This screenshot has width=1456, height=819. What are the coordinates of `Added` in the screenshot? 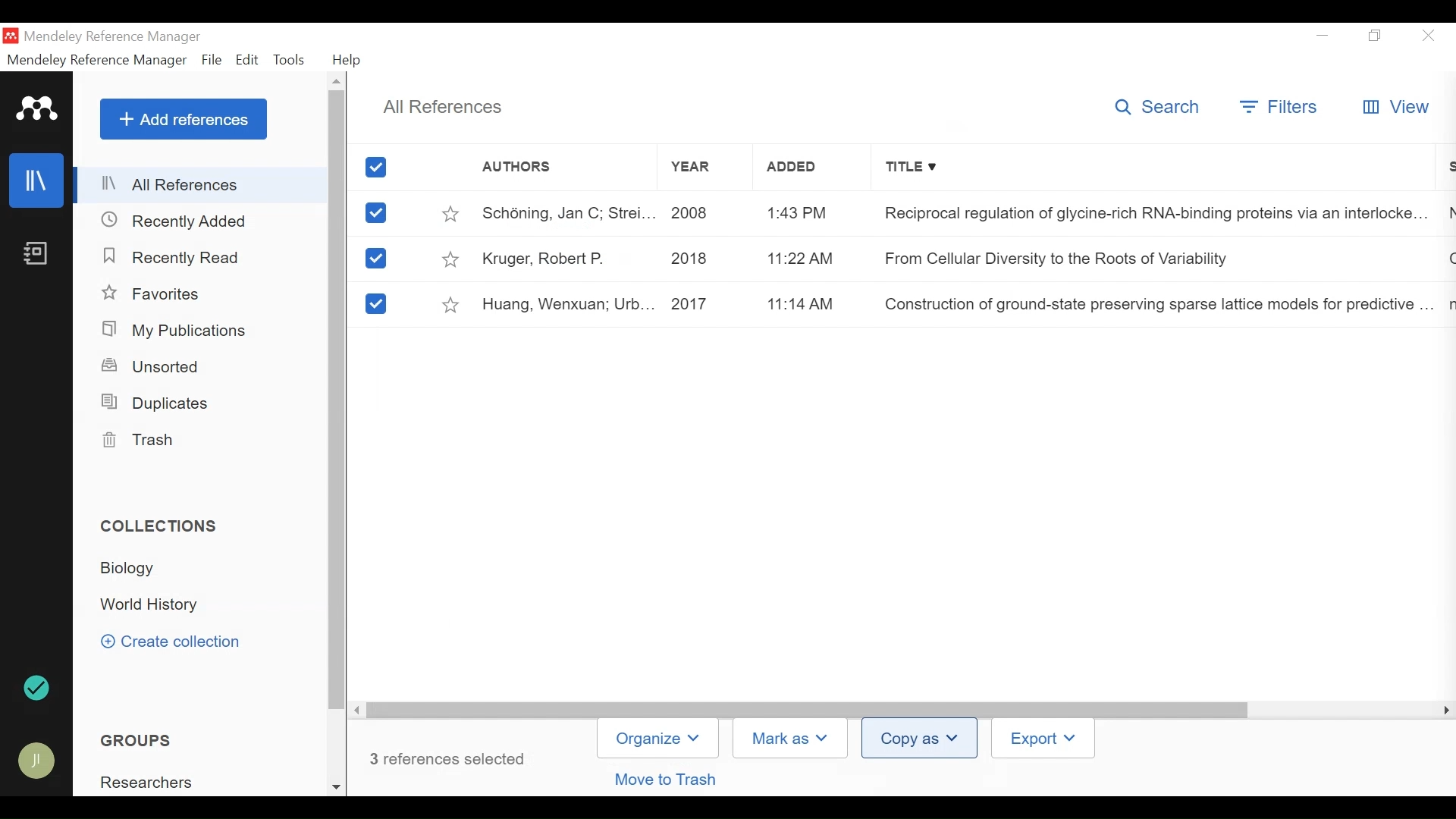 It's located at (803, 170).